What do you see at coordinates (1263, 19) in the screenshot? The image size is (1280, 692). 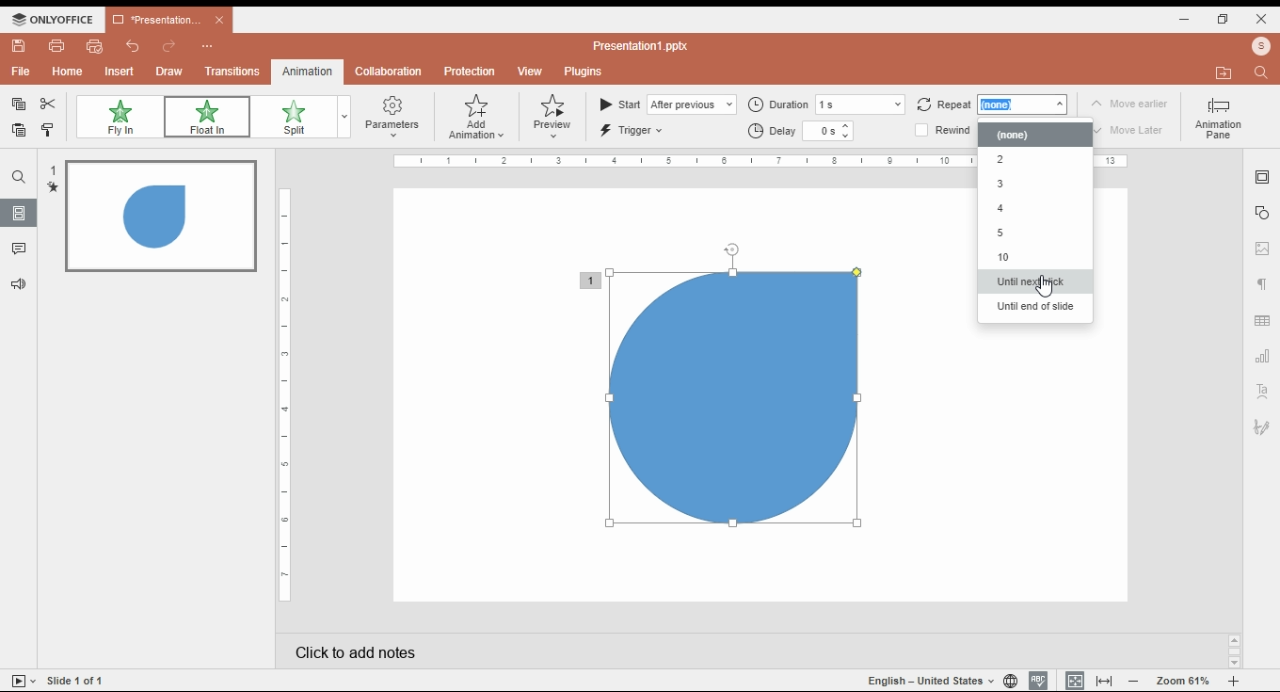 I see `close window` at bounding box center [1263, 19].